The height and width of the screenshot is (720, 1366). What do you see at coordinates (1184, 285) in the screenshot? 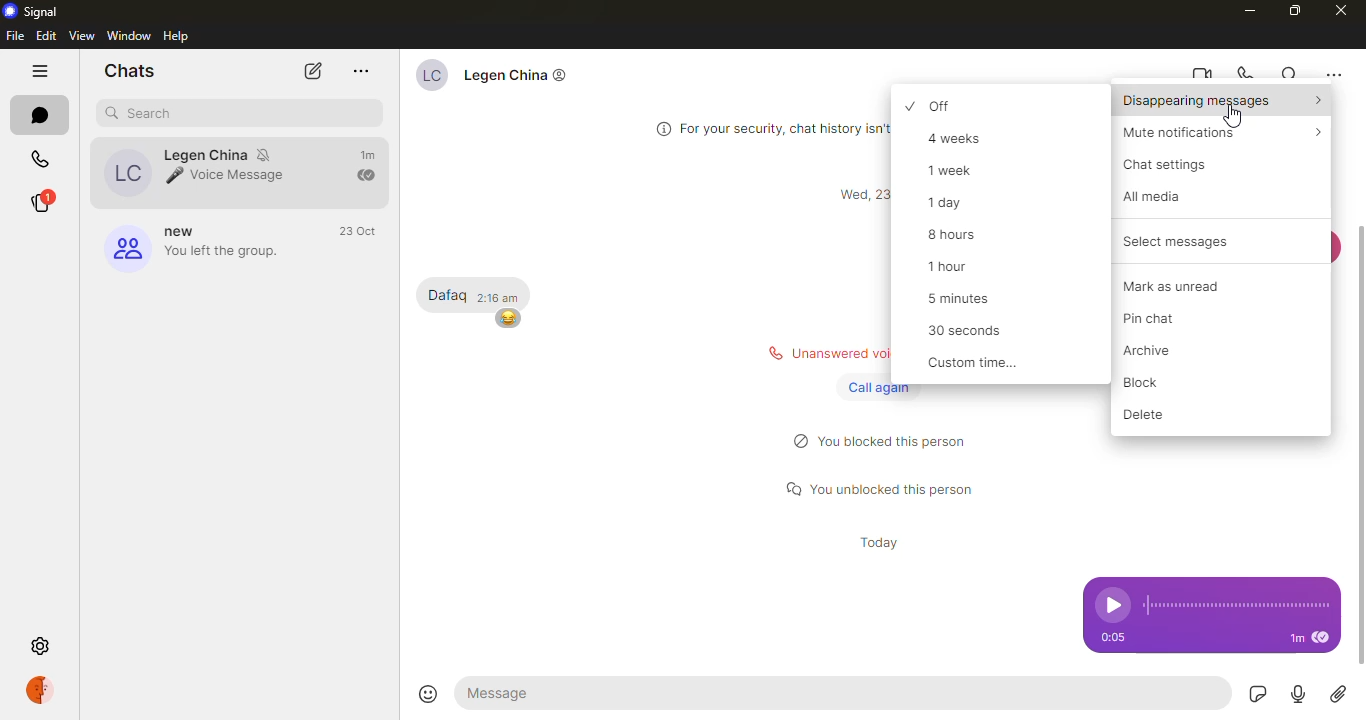
I see `mark as unread` at bounding box center [1184, 285].